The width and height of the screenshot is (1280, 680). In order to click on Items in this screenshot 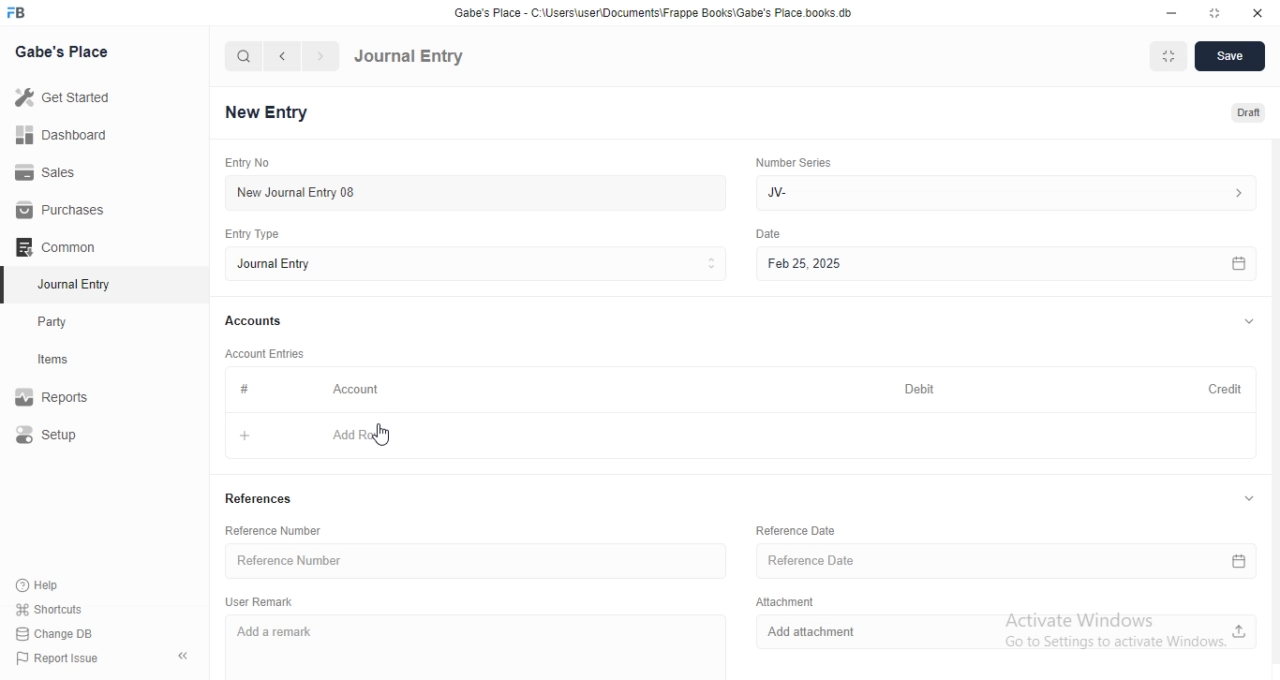, I will do `click(72, 361)`.